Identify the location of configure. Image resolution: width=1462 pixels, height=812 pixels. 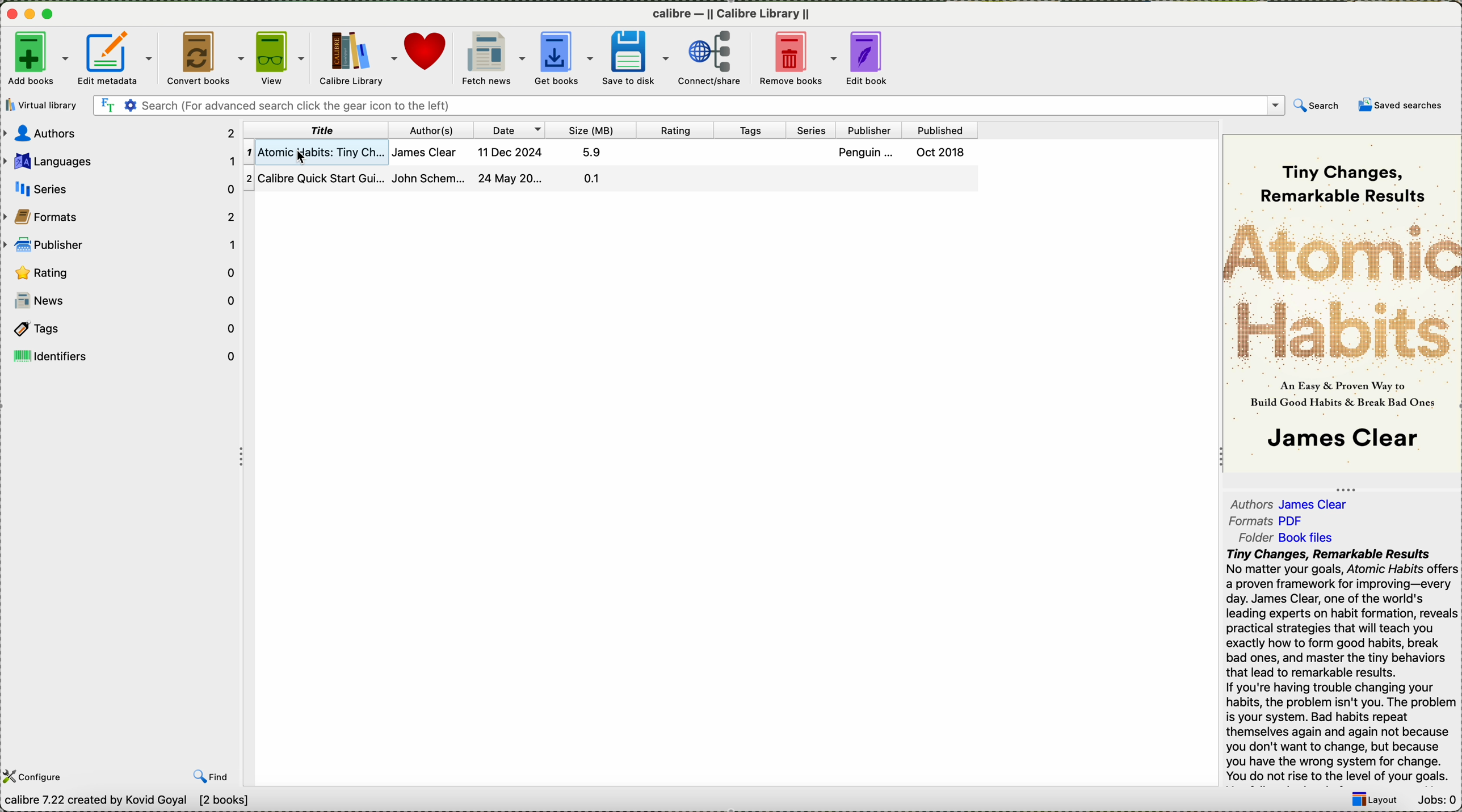
(34, 777).